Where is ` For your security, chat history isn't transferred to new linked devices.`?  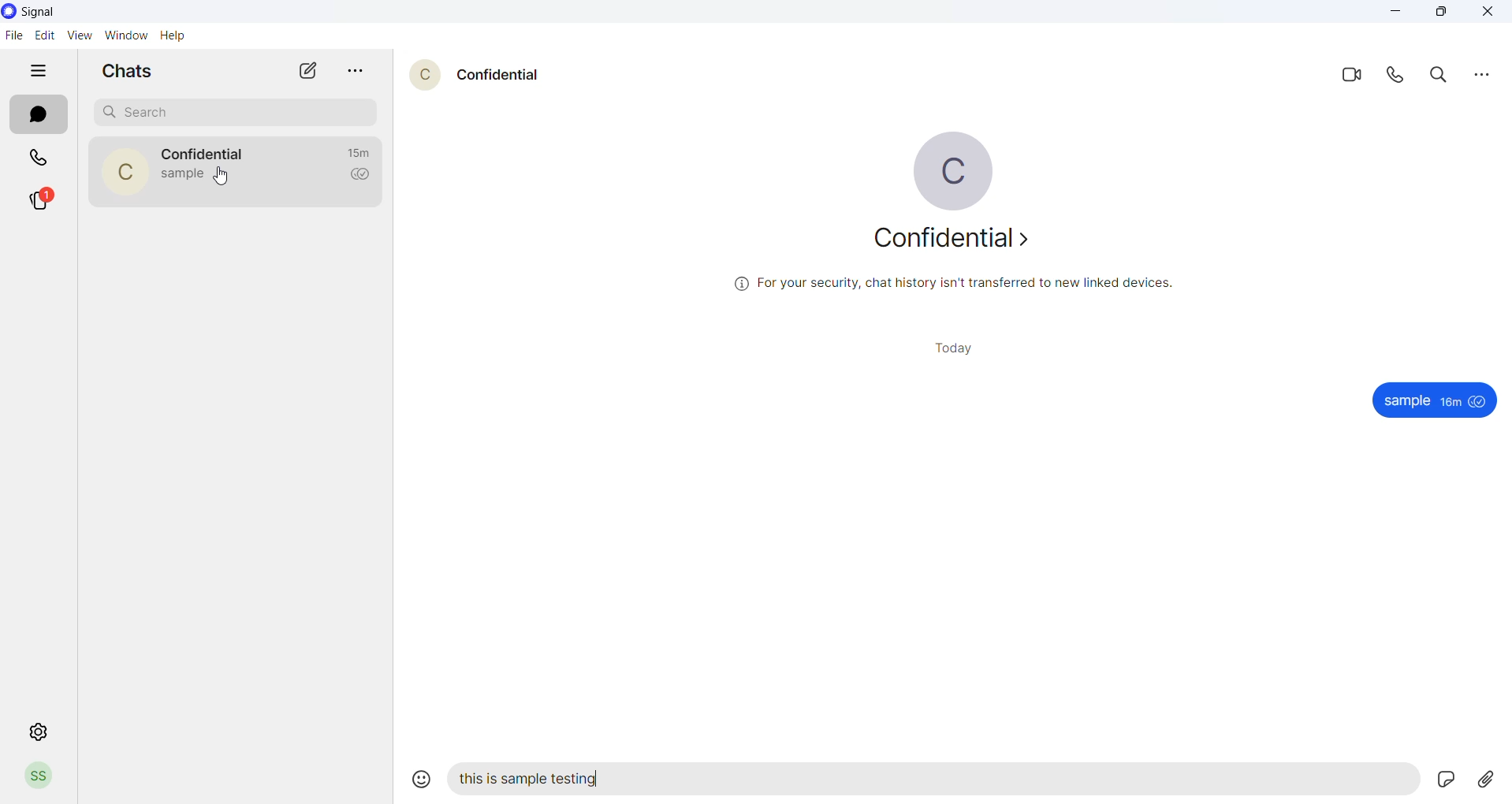  For your security, chat history isn't transferred to new linked devices. is located at coordinates (944, 285).